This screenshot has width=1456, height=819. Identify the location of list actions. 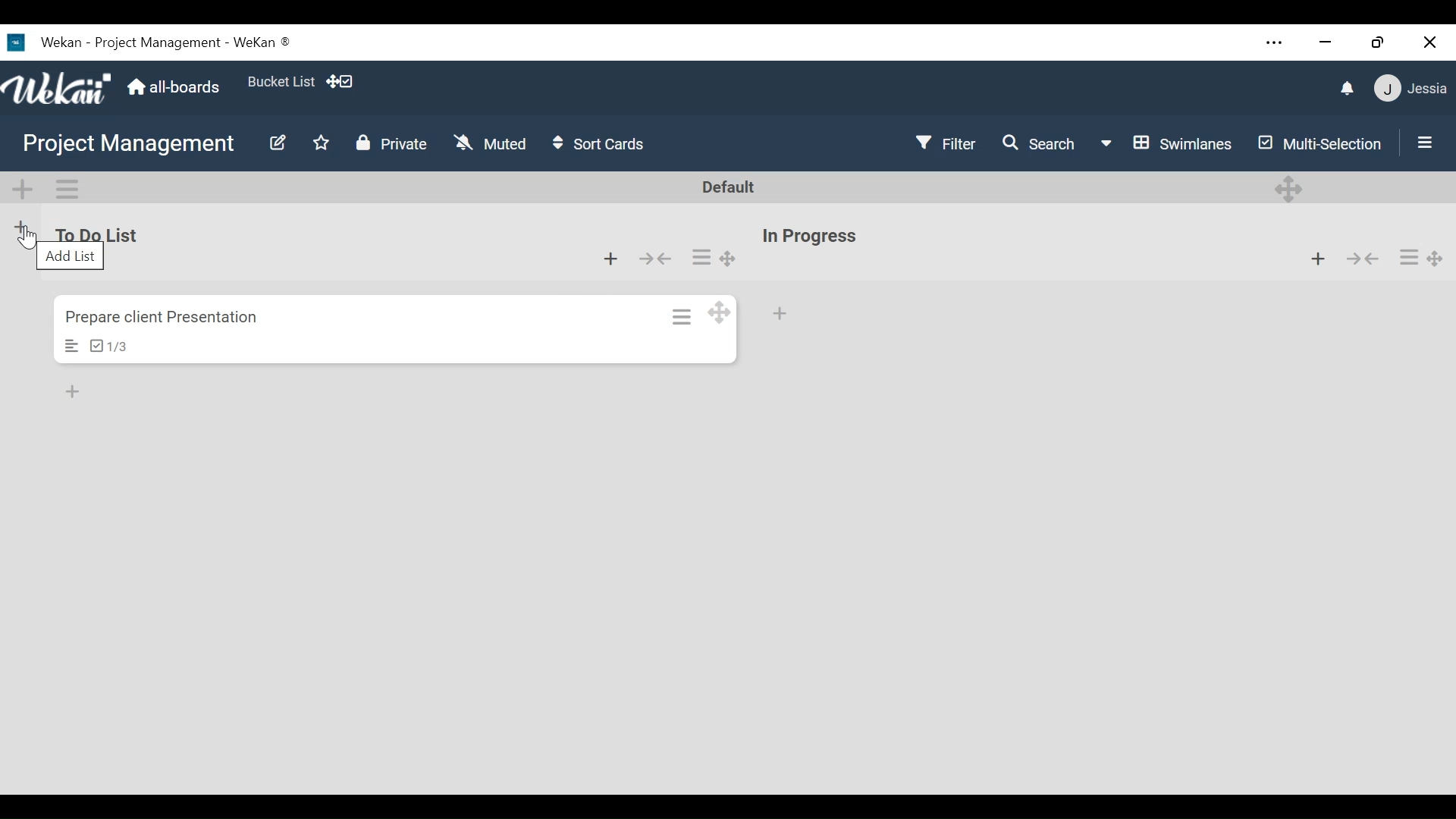
(700, 256).